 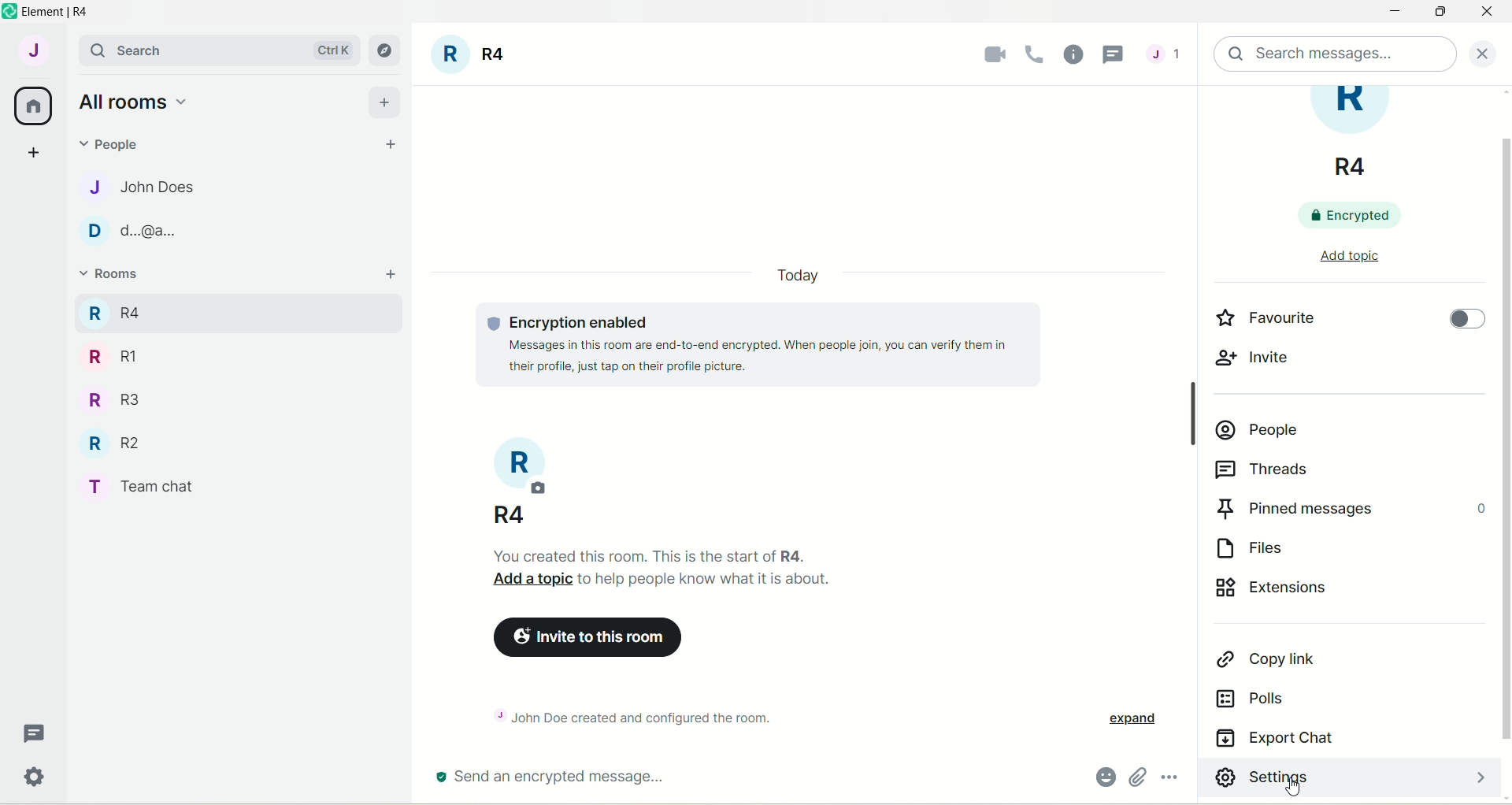 What do you see at coordinates (991, 54) in the screenshot?
I see `video call` at bounding box center [991, 54].